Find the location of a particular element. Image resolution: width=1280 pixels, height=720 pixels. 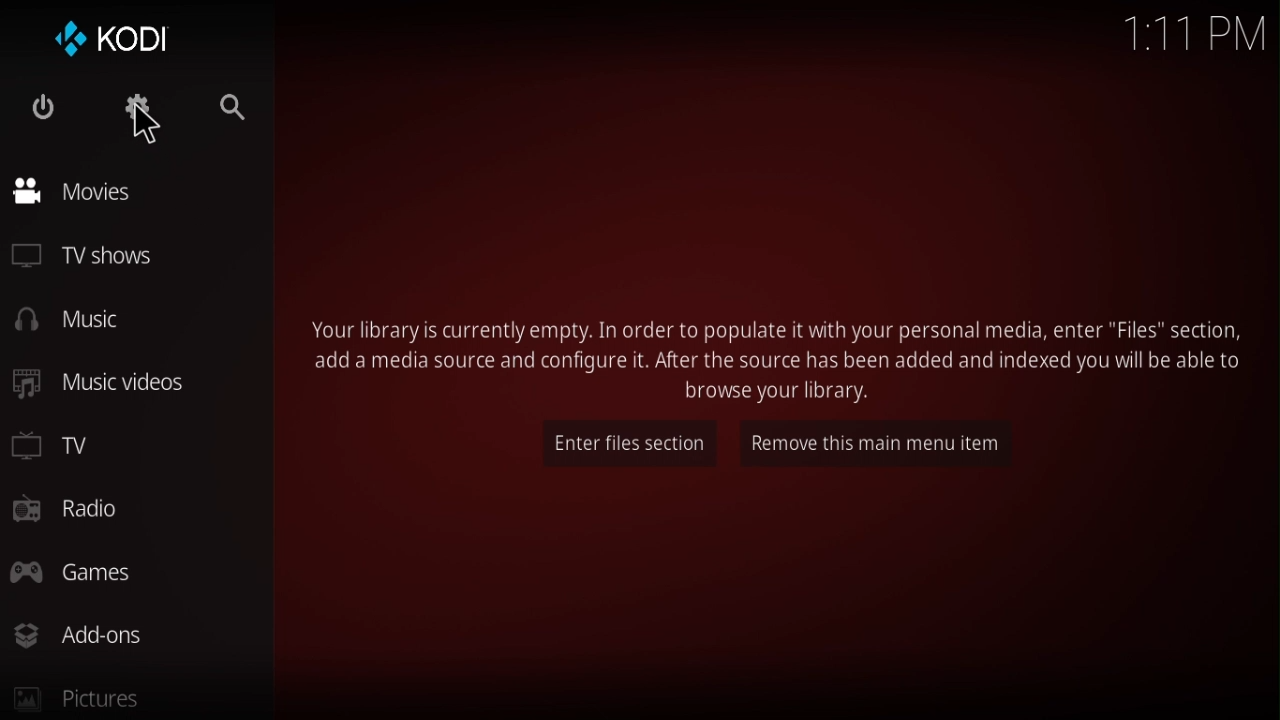

kodi logo is located at coordinates (119, 33).